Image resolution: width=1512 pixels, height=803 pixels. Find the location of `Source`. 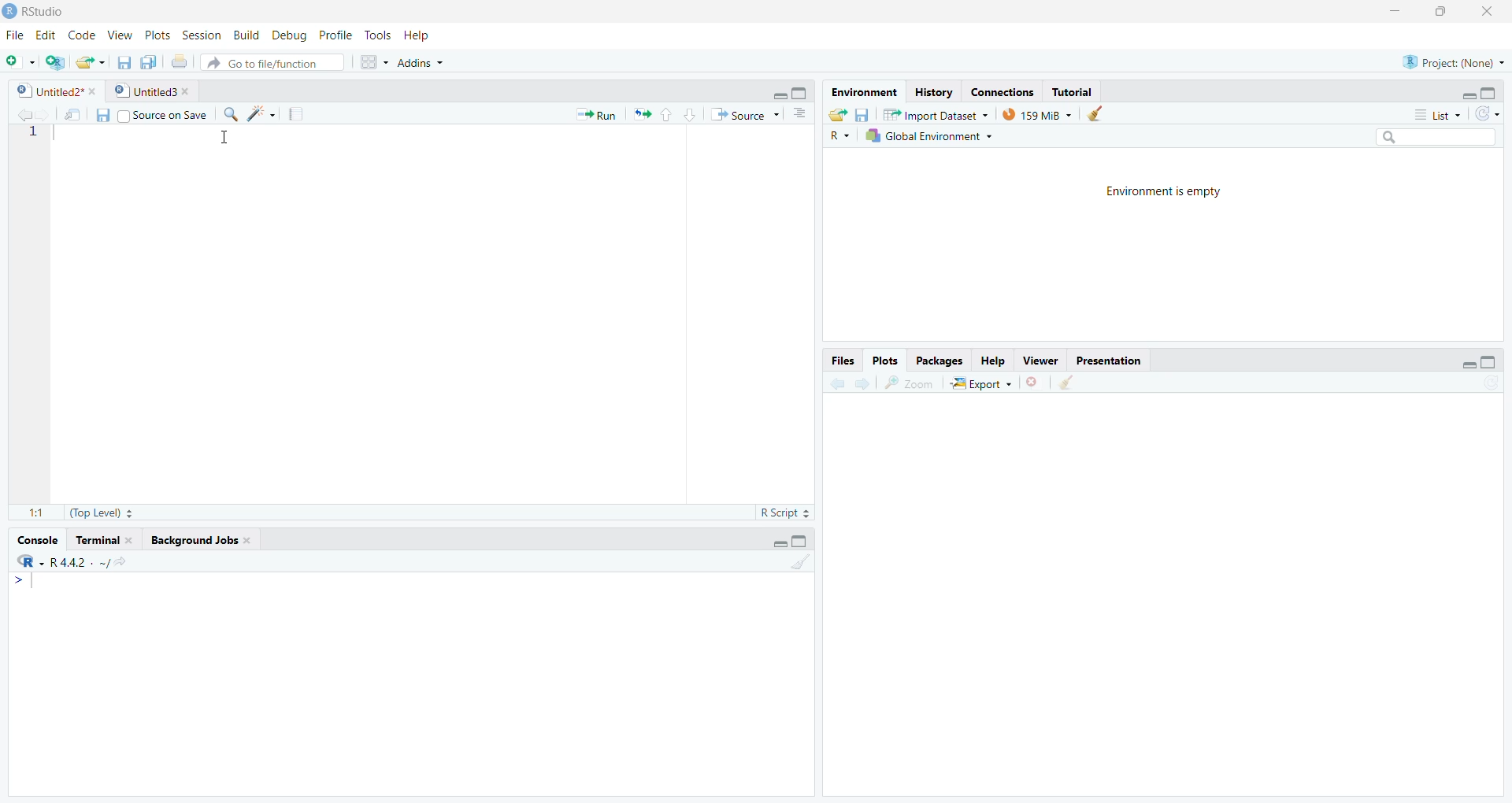

Source is located at coordinates (743, 117).